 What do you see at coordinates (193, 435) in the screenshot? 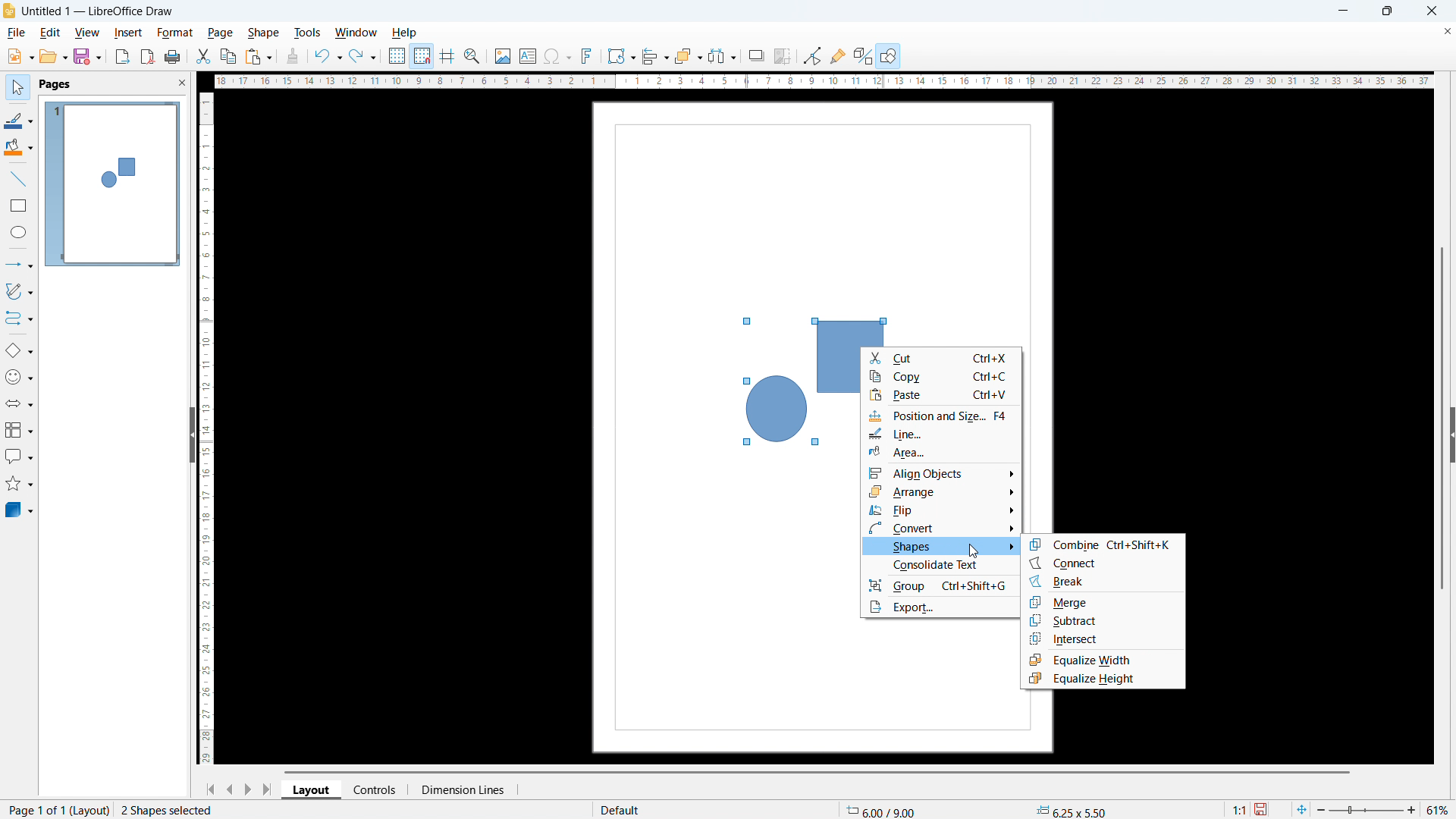
I see `hide pane` at bounding box center [193, 435].